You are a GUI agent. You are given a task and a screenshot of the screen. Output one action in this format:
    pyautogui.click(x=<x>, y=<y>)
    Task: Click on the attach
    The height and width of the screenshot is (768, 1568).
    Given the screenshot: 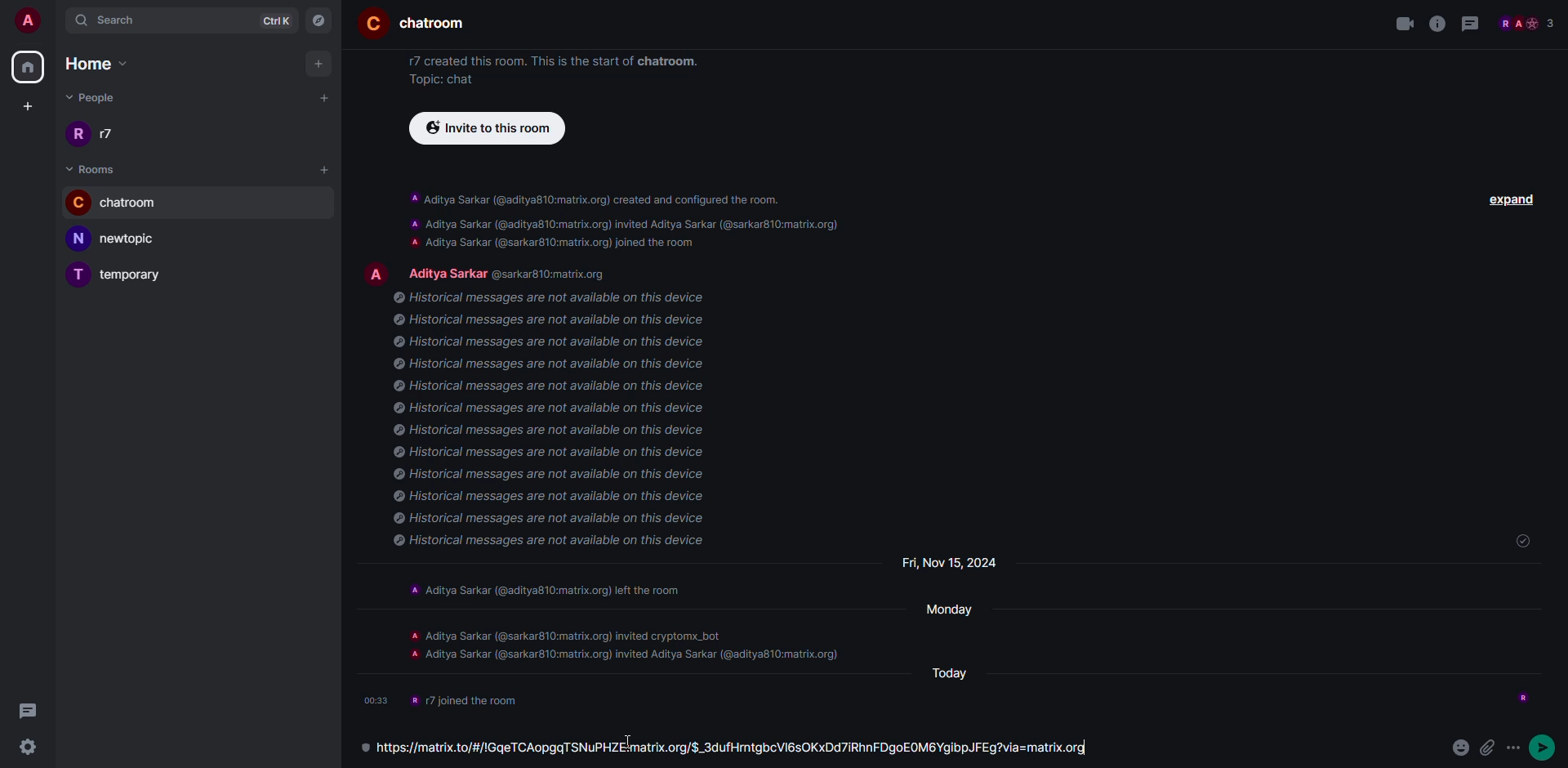 What is the action you would take?
    pyautogui.click(x=1488, y=744)
    